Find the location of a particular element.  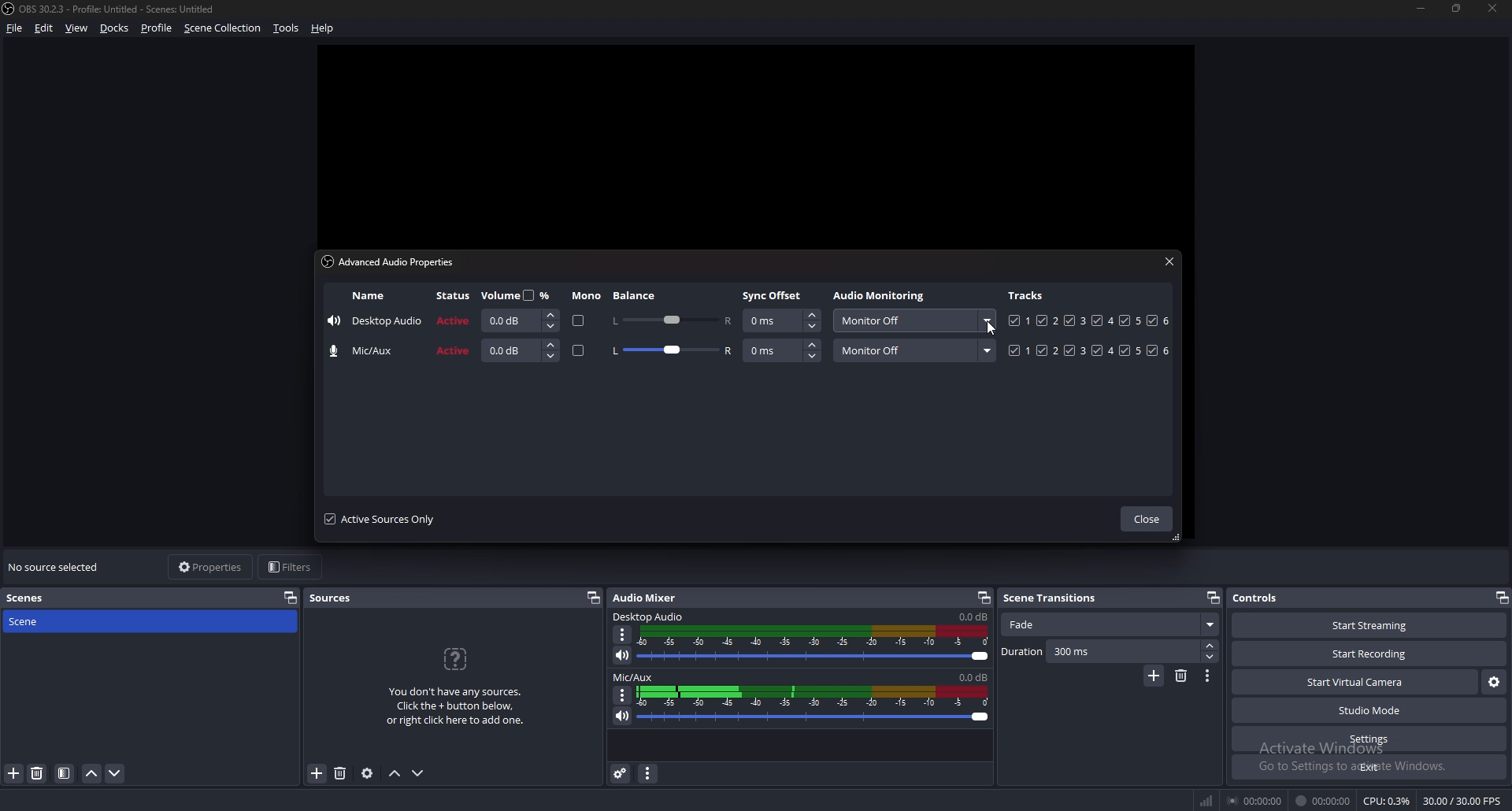

pop out is located at coordinates (984, 597).